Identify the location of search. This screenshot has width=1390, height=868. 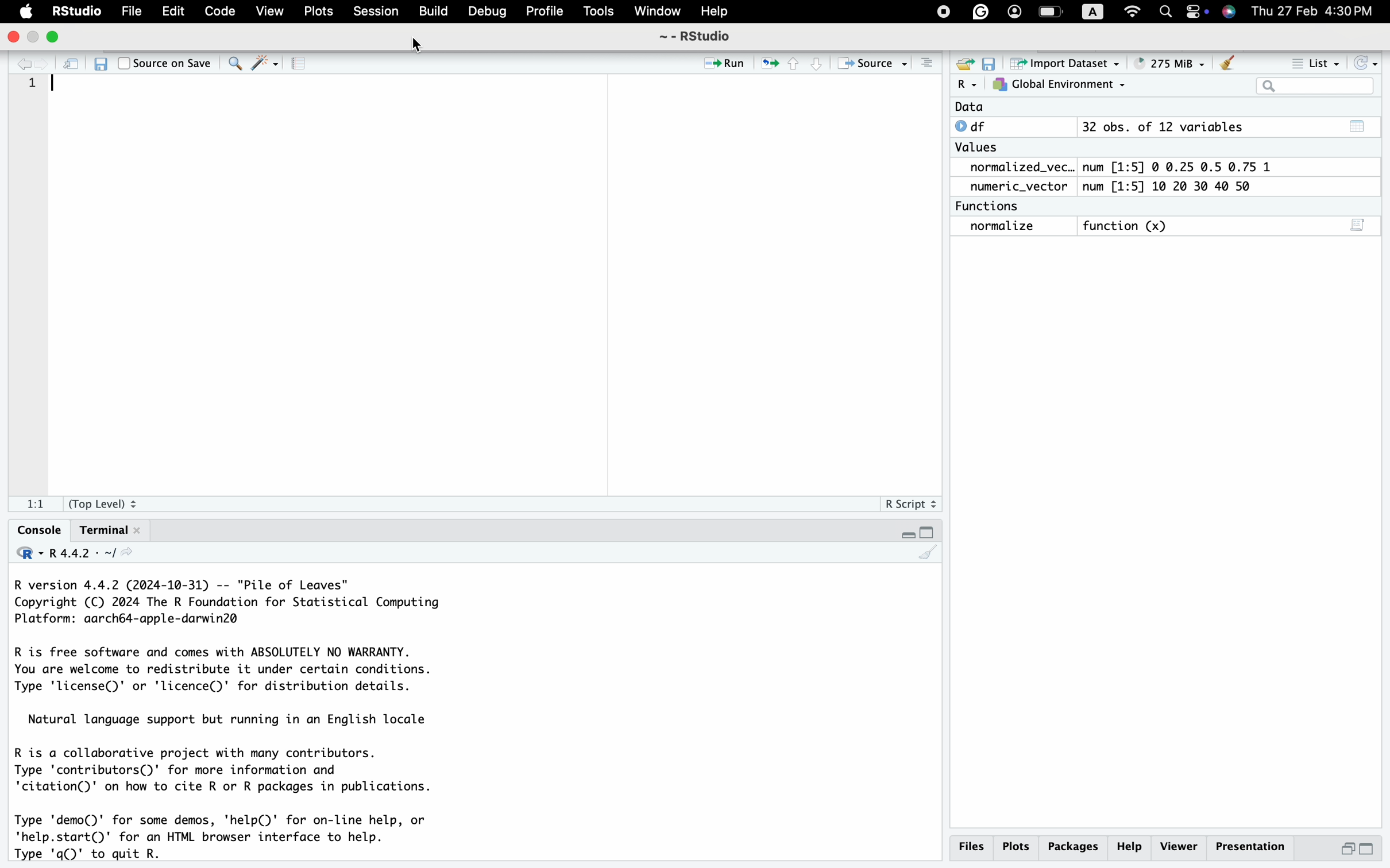
(1165, 13).